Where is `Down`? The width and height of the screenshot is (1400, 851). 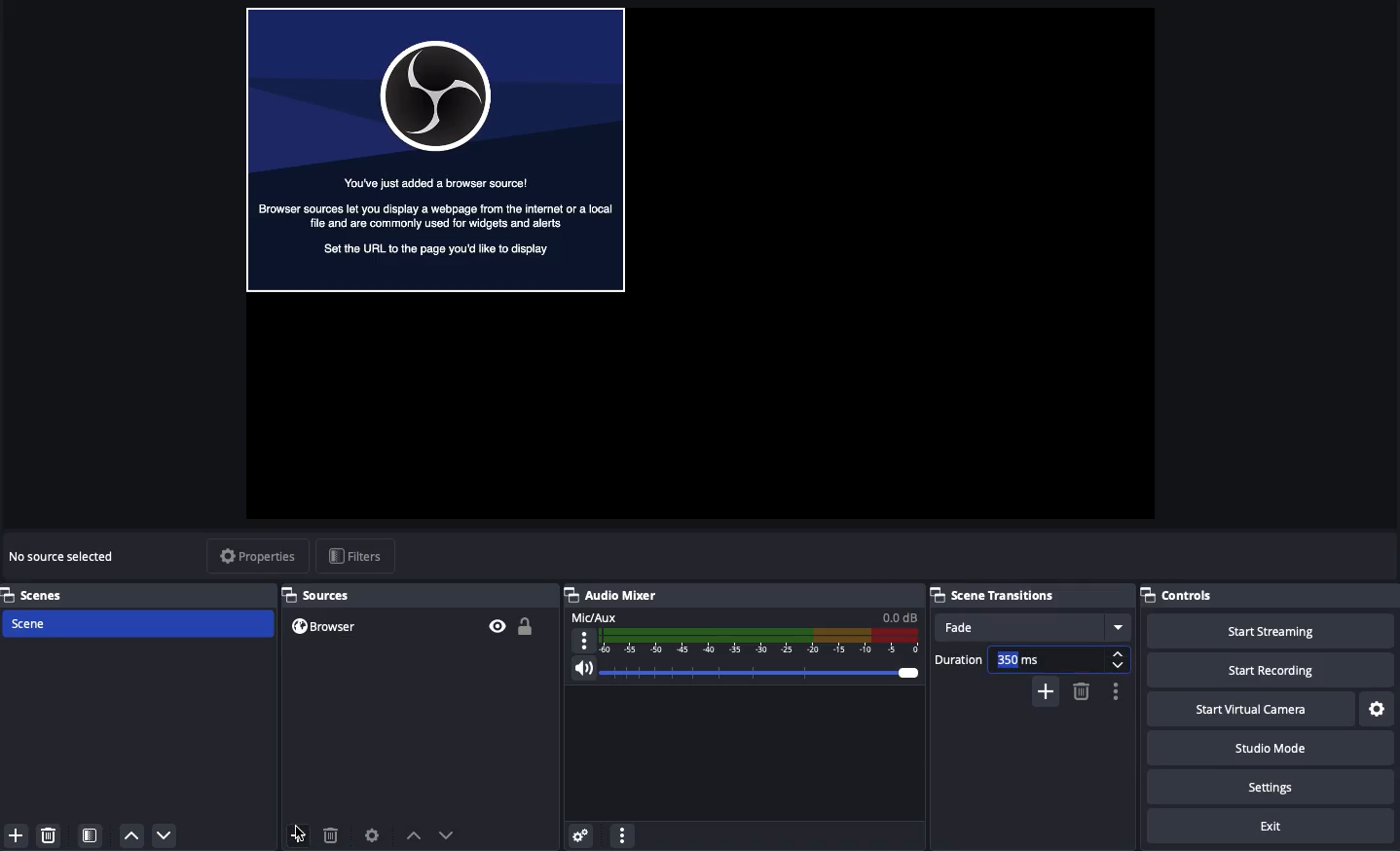
Down is located at coordinates (166, 834).